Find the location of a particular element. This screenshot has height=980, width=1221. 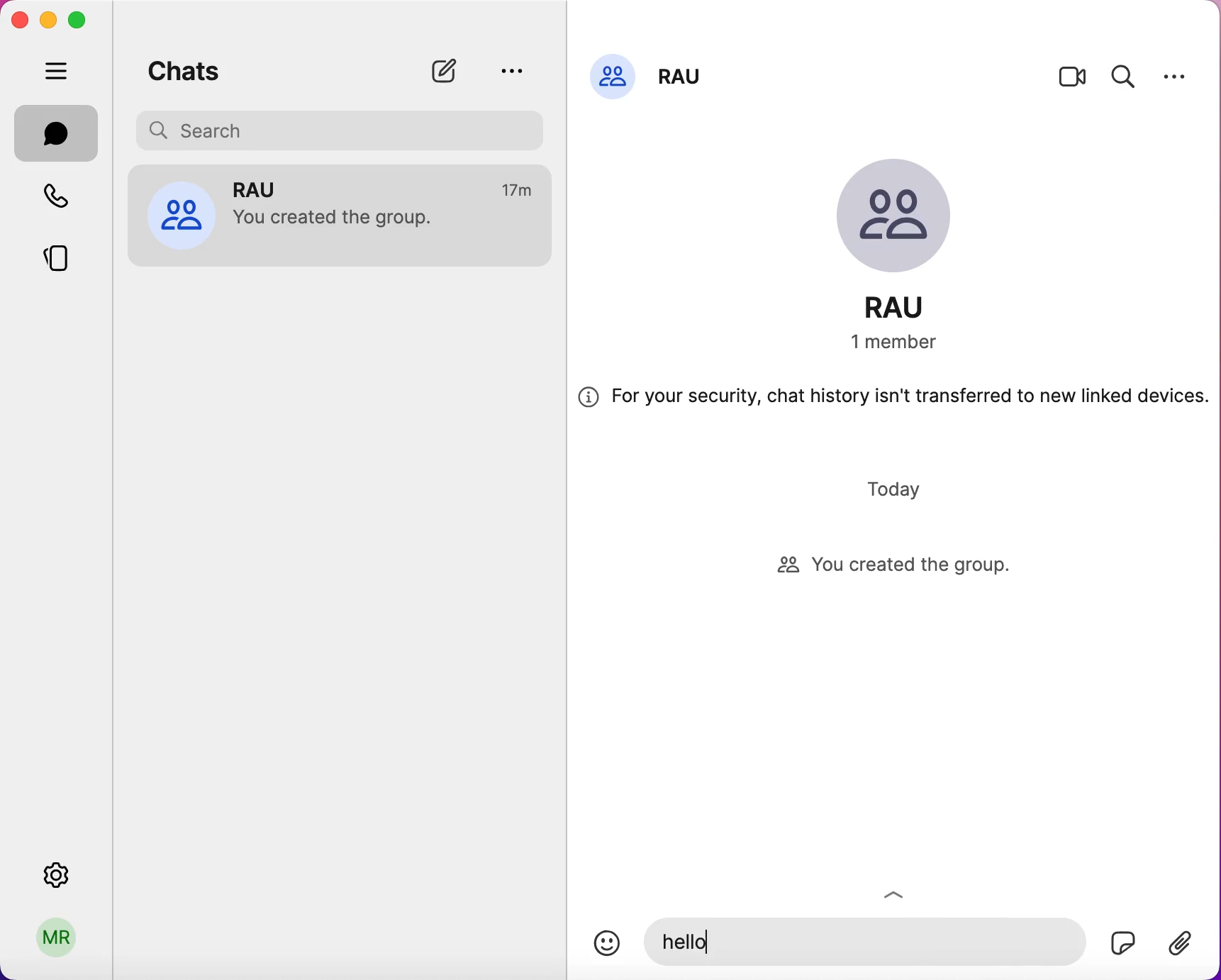

hide bar is located at coordinates (60, 72).